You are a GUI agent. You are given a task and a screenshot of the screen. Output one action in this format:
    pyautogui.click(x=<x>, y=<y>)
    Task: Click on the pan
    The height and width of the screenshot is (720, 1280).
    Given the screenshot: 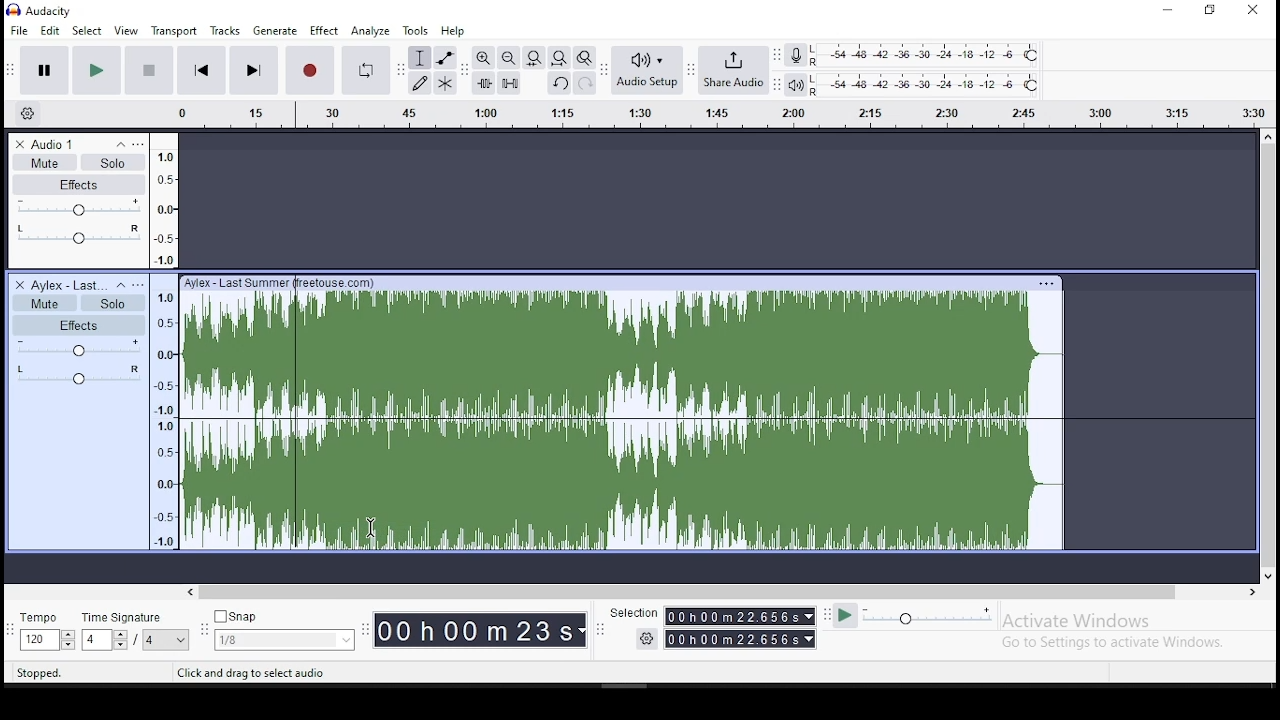 What is the action you would take?
    pyautogui.click(x=79, y=374)
    